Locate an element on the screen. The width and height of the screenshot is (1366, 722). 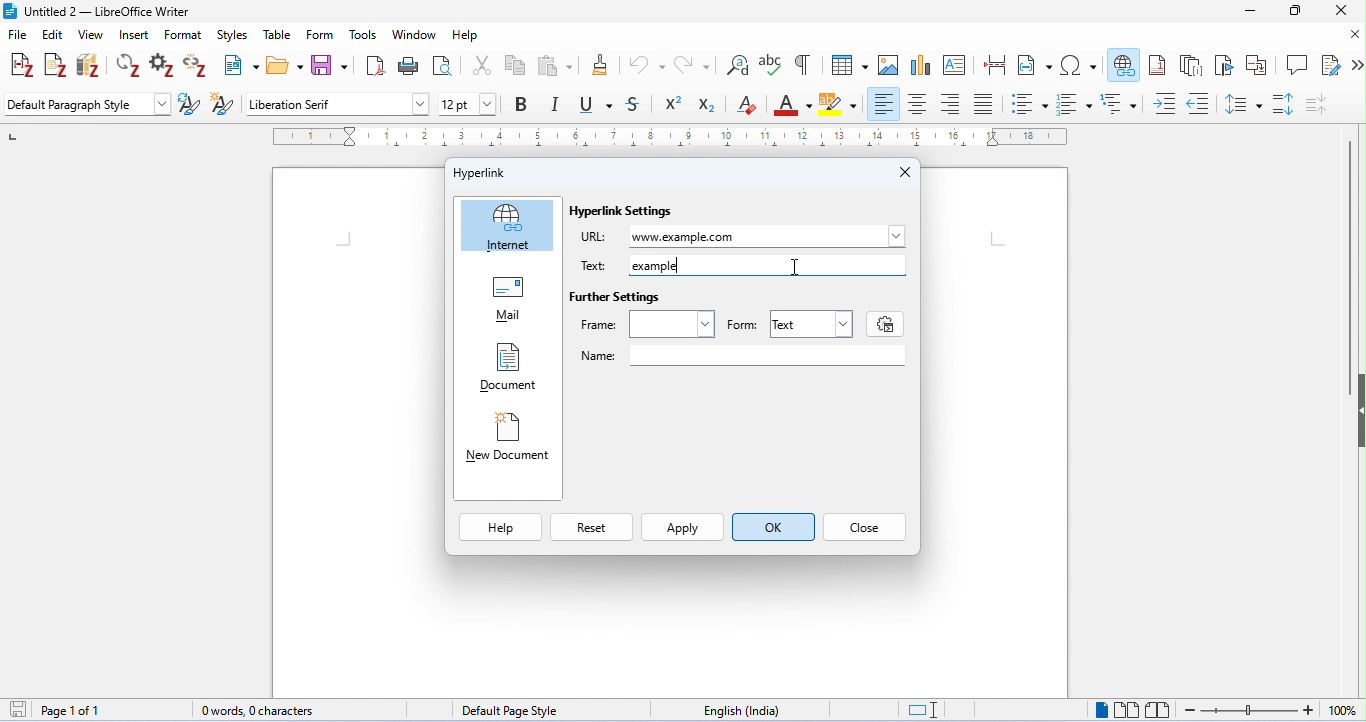
close is located at coordinates (1338, 11).